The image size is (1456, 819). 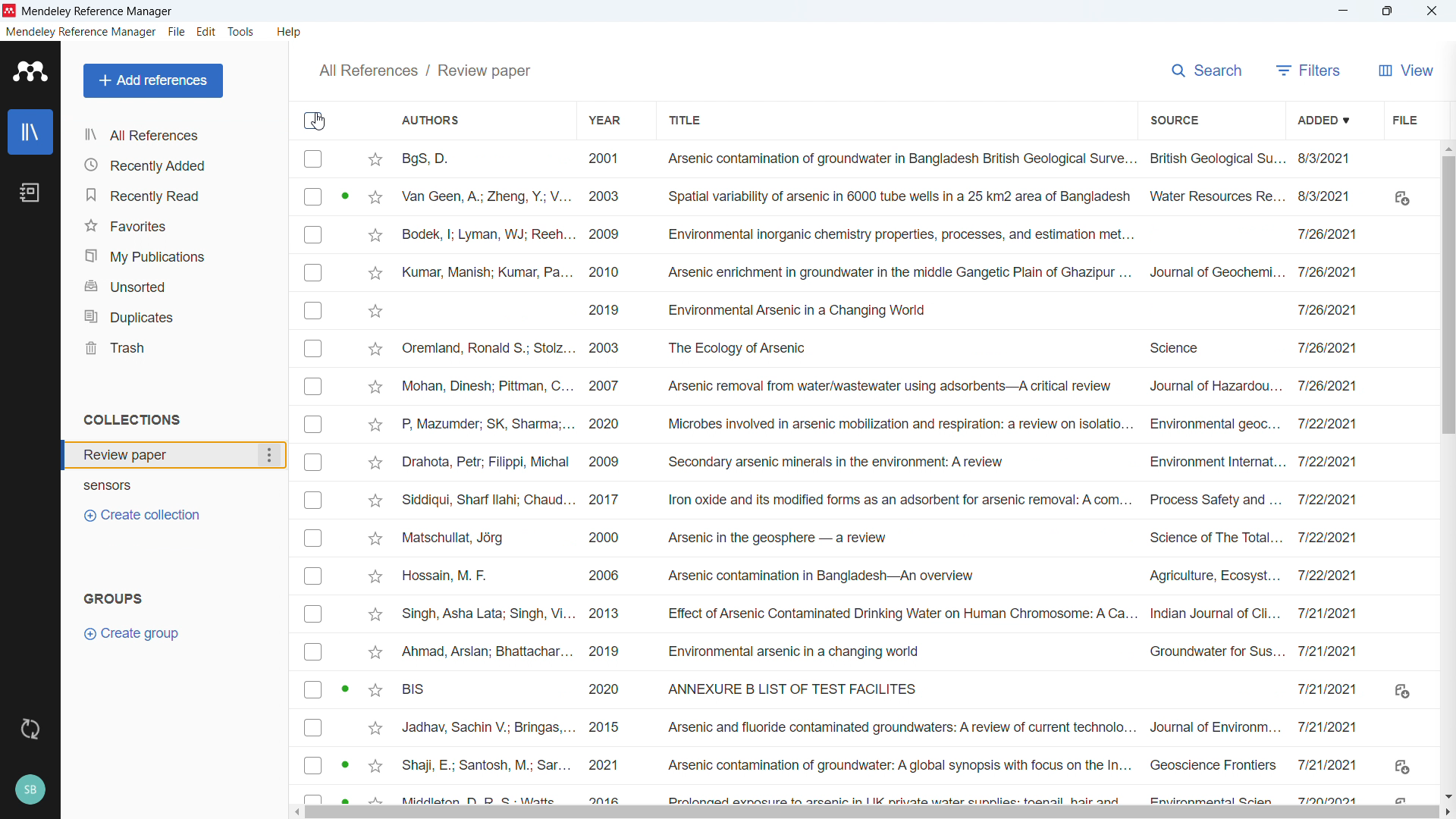 What do you see at coordinates (375, 690) in the screenshot?
I see `Star mark respective publication` at bounding box center [375, 690].